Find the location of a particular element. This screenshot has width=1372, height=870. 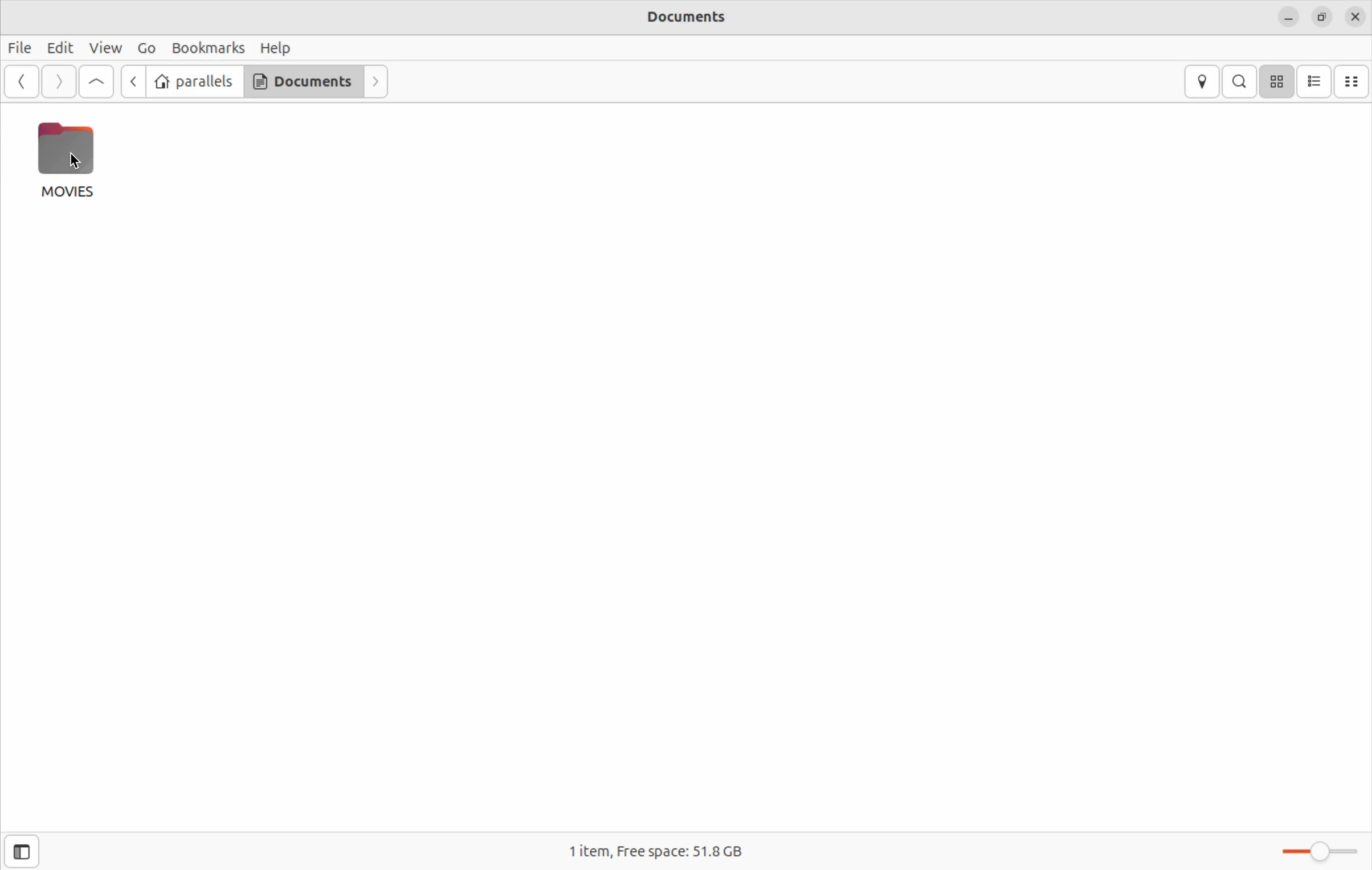

Go is located at coordinates (144, 50).